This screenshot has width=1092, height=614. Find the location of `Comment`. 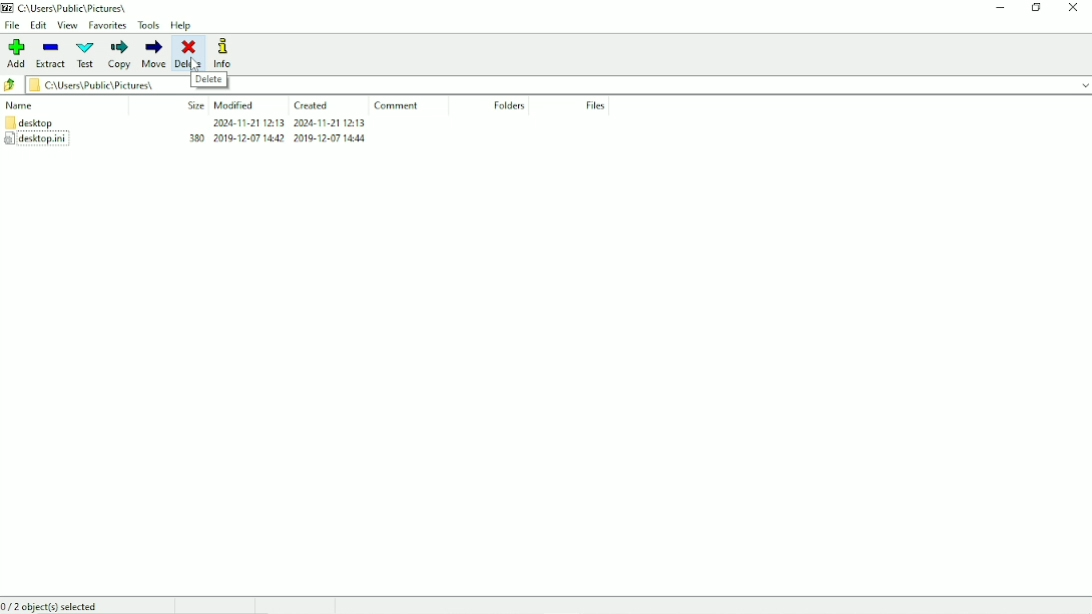

Comment is located at coordinates (395, 105).